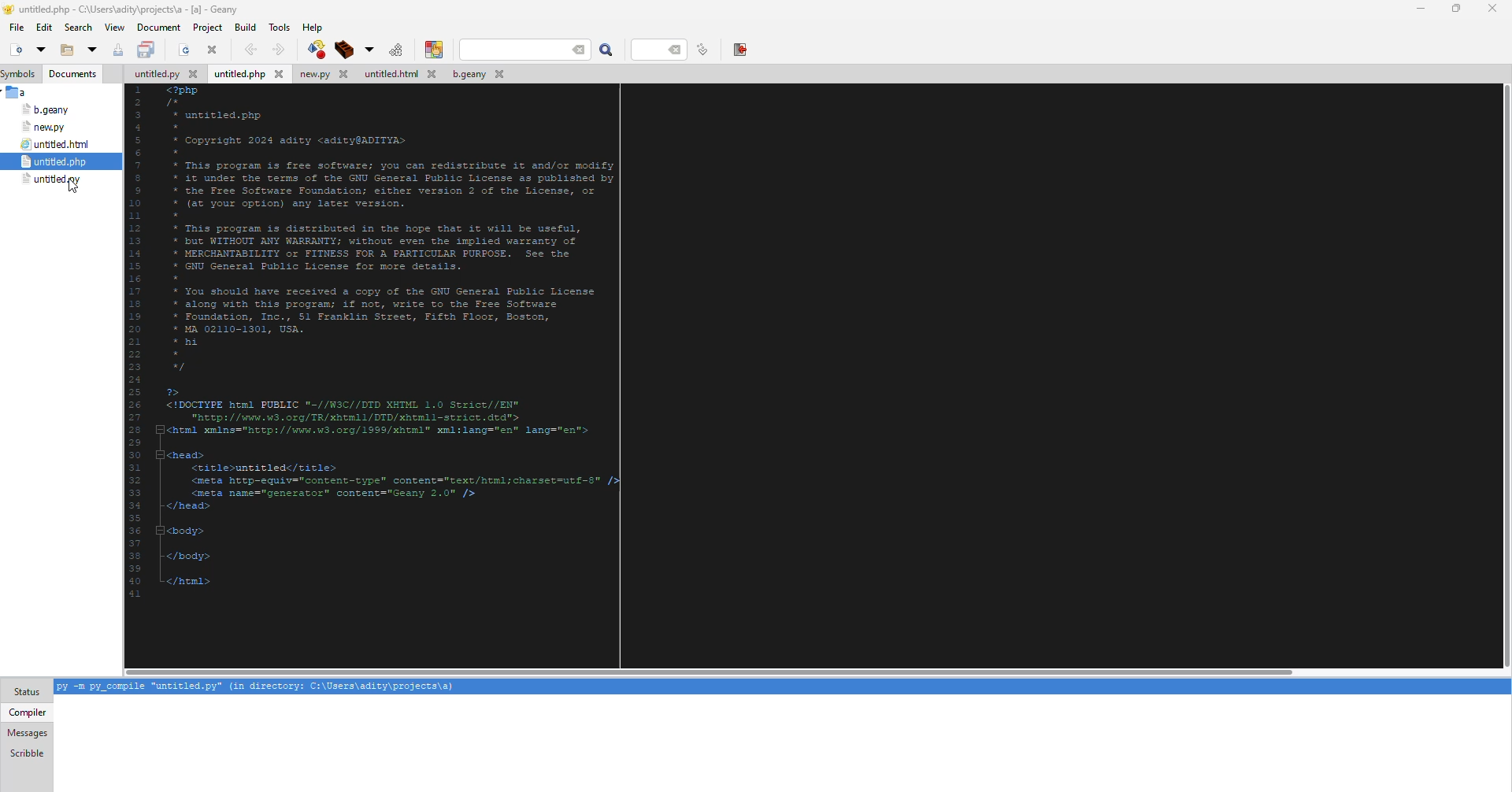  What do you see at coordinates (79, 27) in the screenshot?
I see `search` at bounding box center [79, 27].